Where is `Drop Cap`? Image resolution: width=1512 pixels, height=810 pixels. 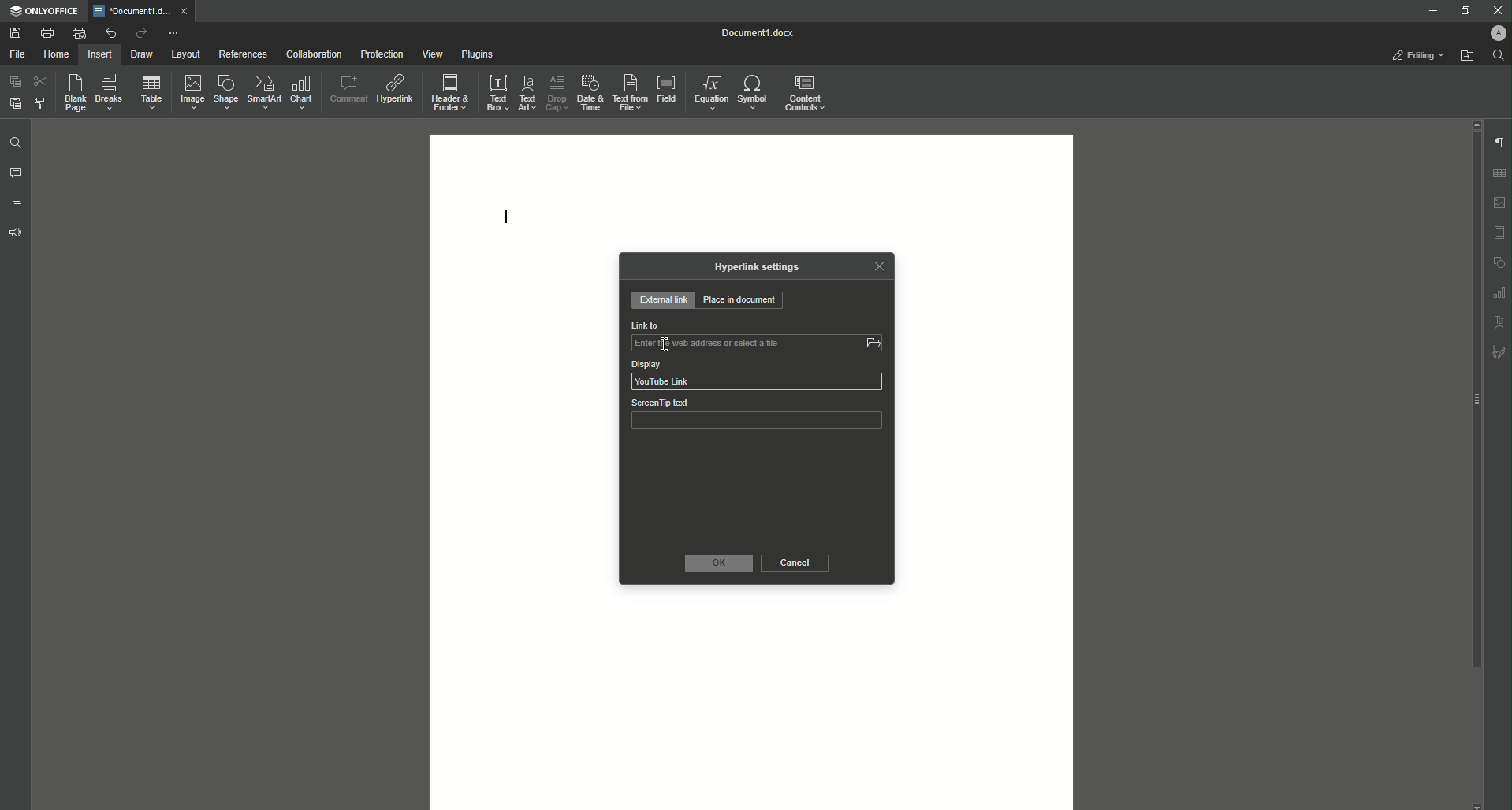
Drop Cap is located at coordinates (557, 92).